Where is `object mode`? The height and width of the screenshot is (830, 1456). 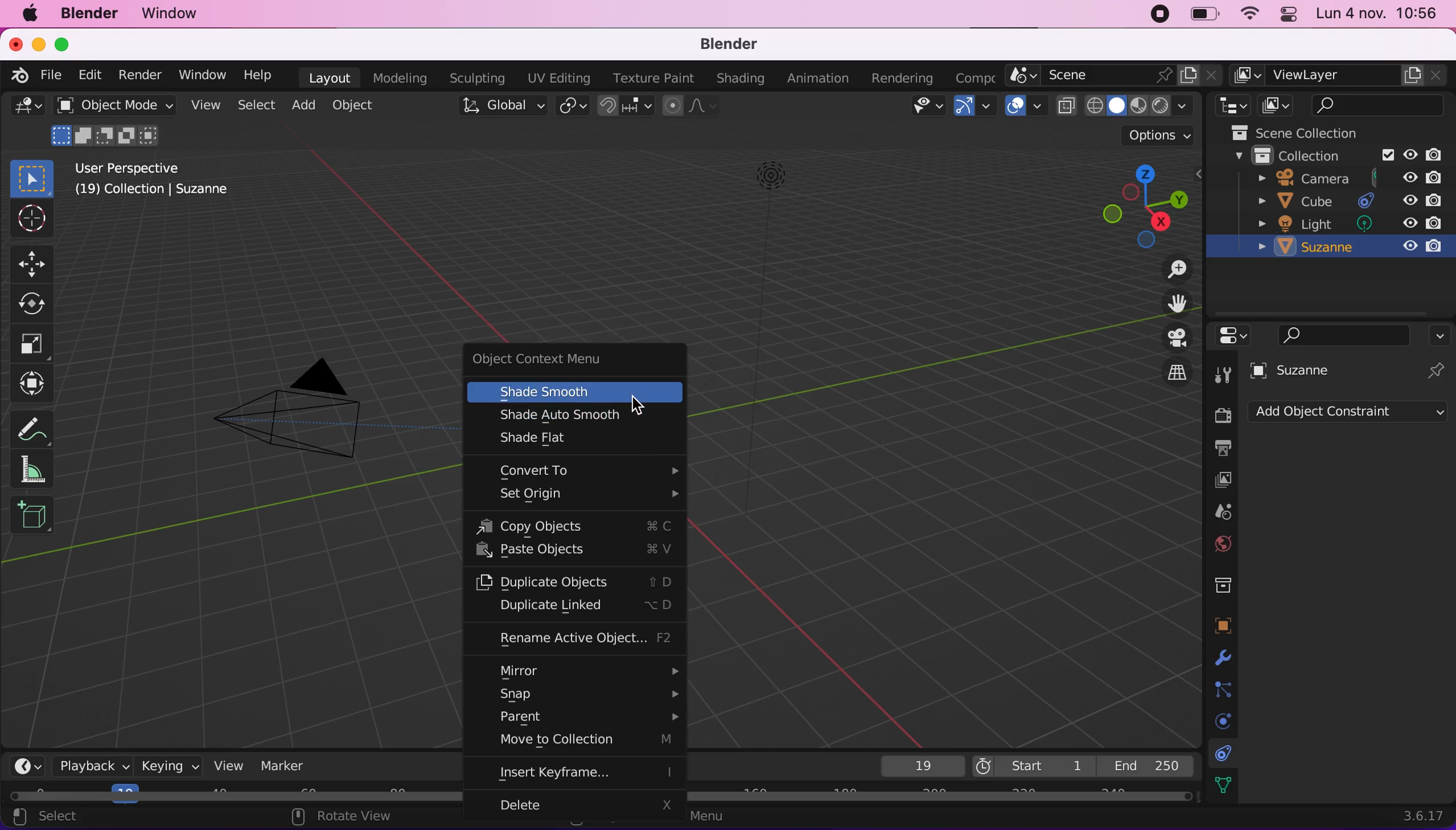
object mode is located at coordinates (116, 107).